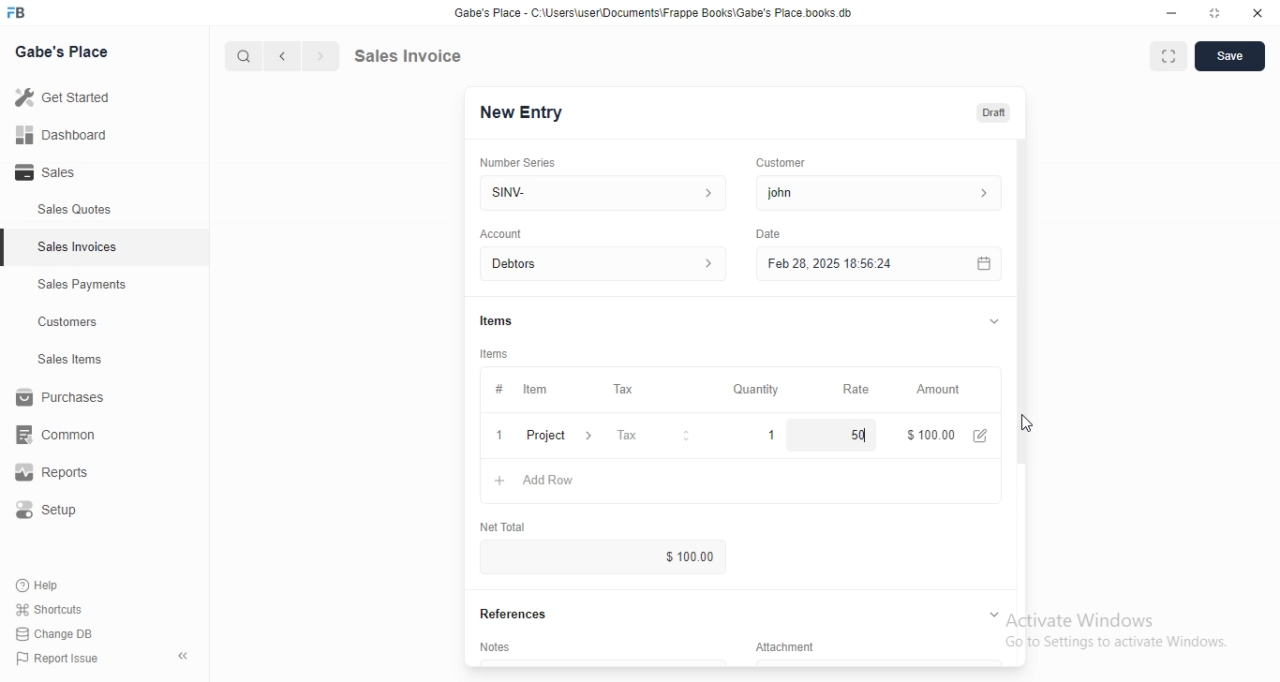 The height and width of the screenshot is (682, 1280). Describe the element at coordinates (499, 650) in the screenshot. I see `‘Notes` at that location.